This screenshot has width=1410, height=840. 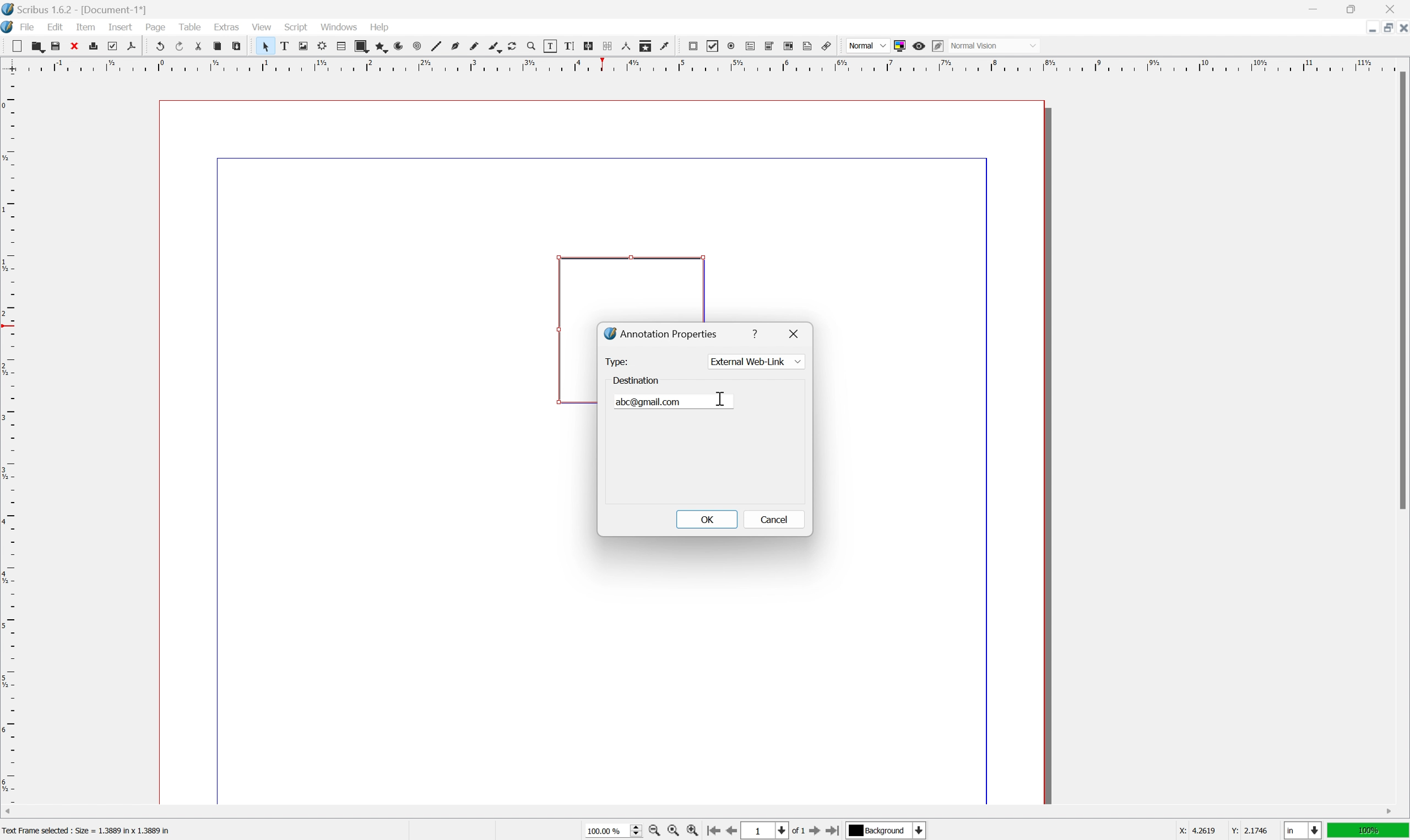 I want to click on edit, so click(x=55, y=27).